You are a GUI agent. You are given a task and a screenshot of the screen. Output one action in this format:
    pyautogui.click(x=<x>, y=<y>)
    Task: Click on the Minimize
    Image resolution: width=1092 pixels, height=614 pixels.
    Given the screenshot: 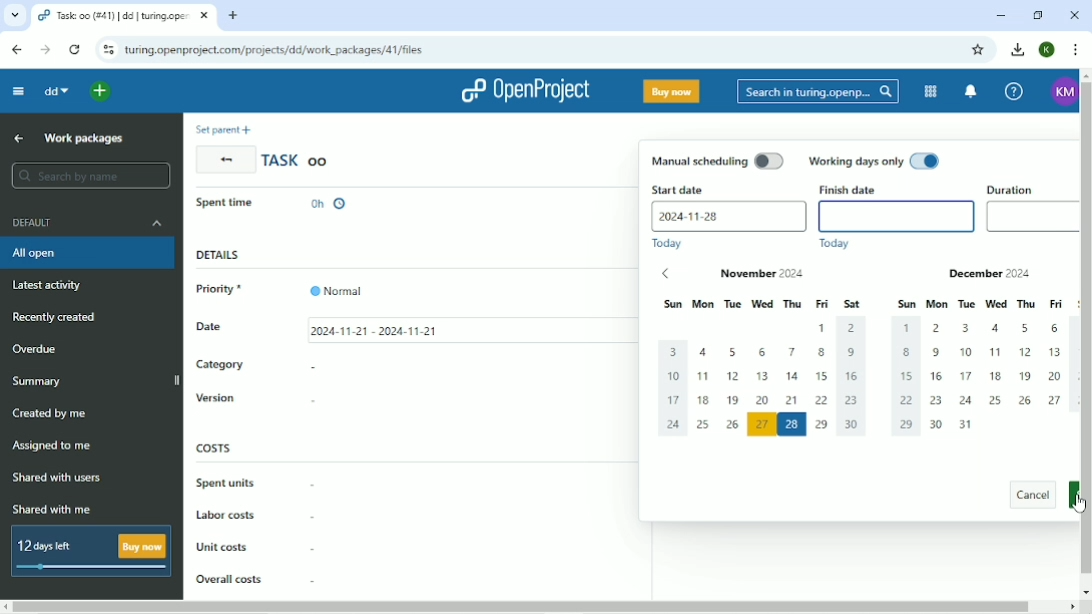 What is the action you would take?
    pyautogui.click(x=1003, y=15)
    